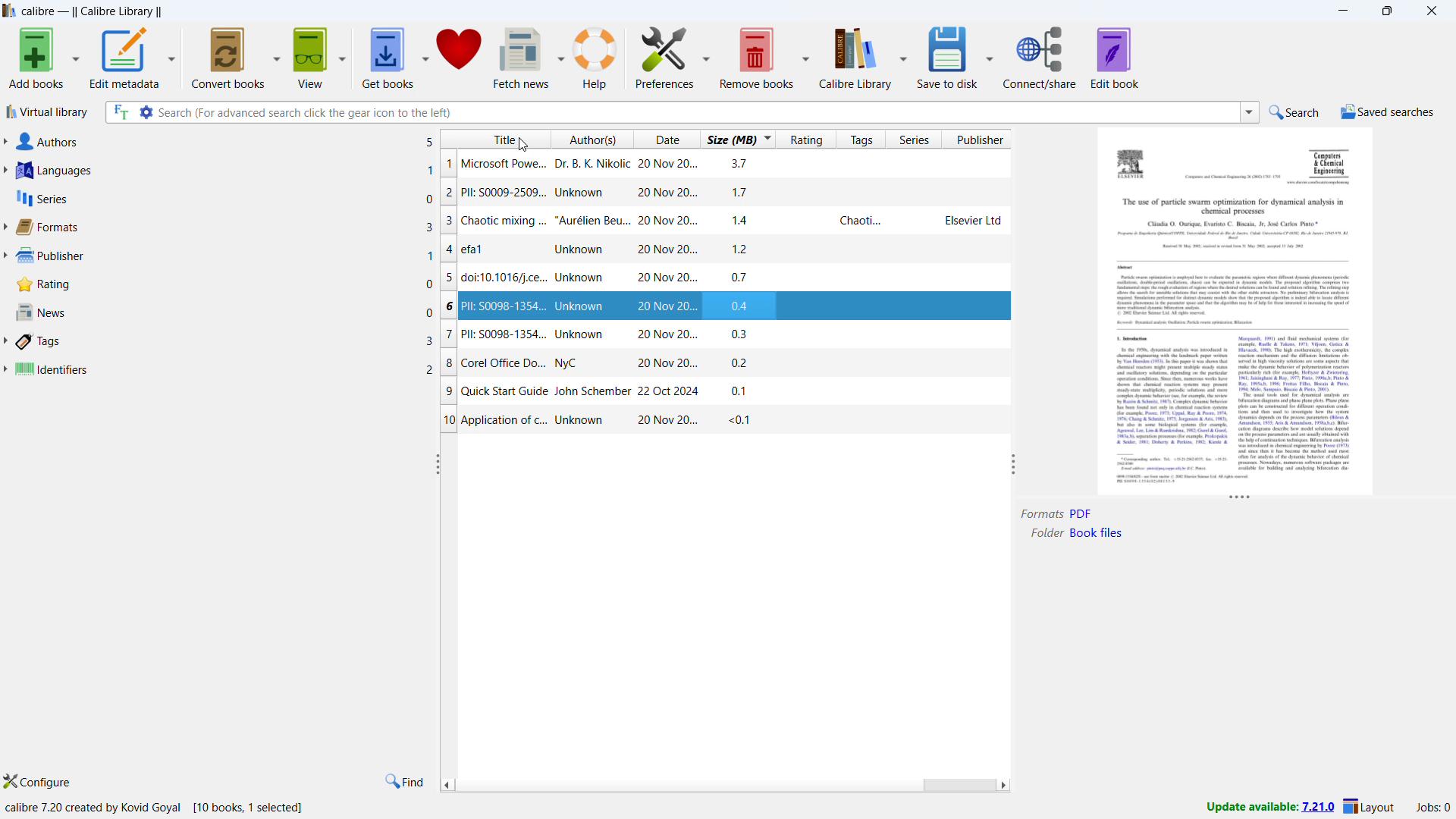  Describe the element at coordinates (226, 341) in the screenshot. I see `tags` at that location.